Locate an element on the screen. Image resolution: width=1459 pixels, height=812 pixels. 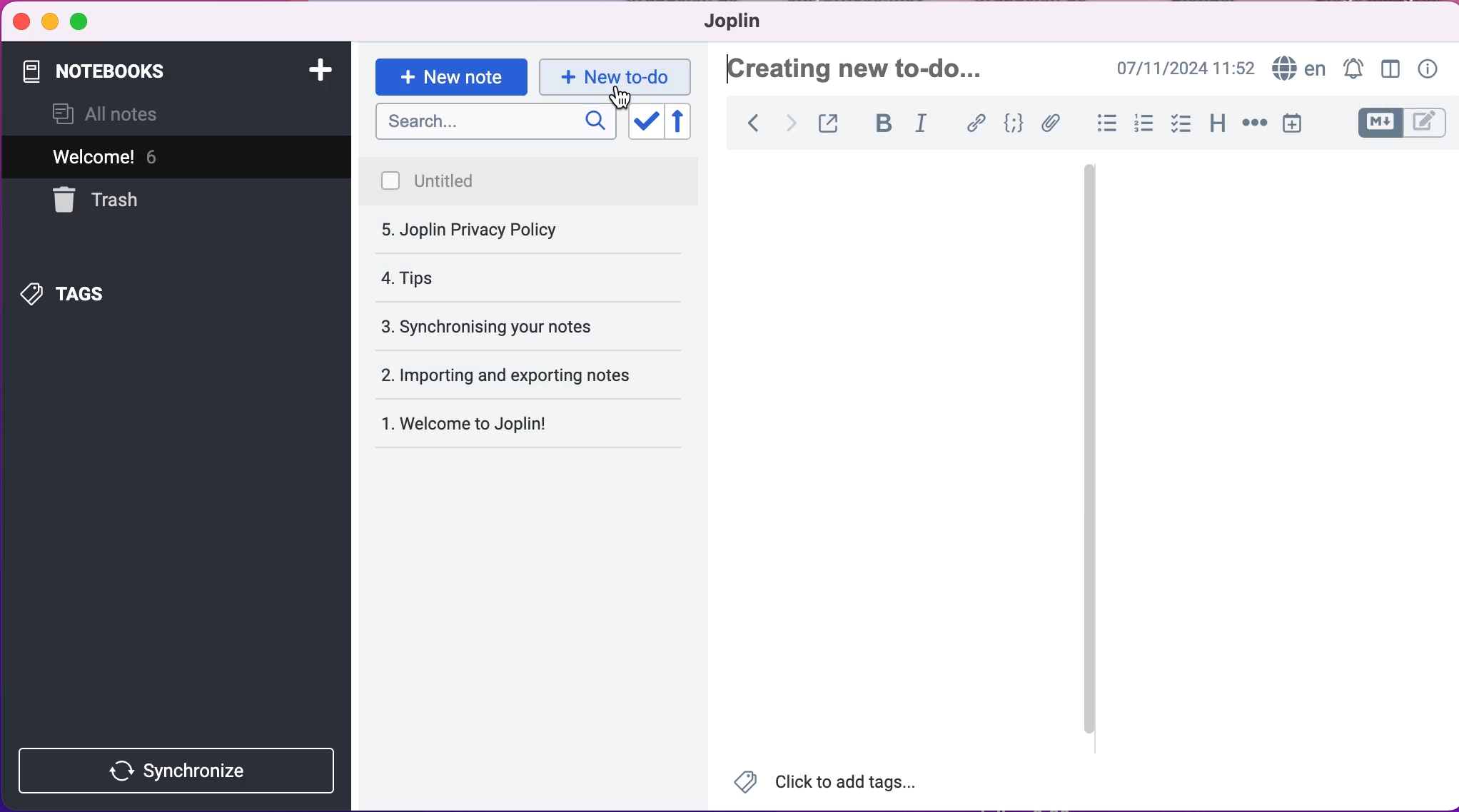
forward is located at coordinates (792, 126).